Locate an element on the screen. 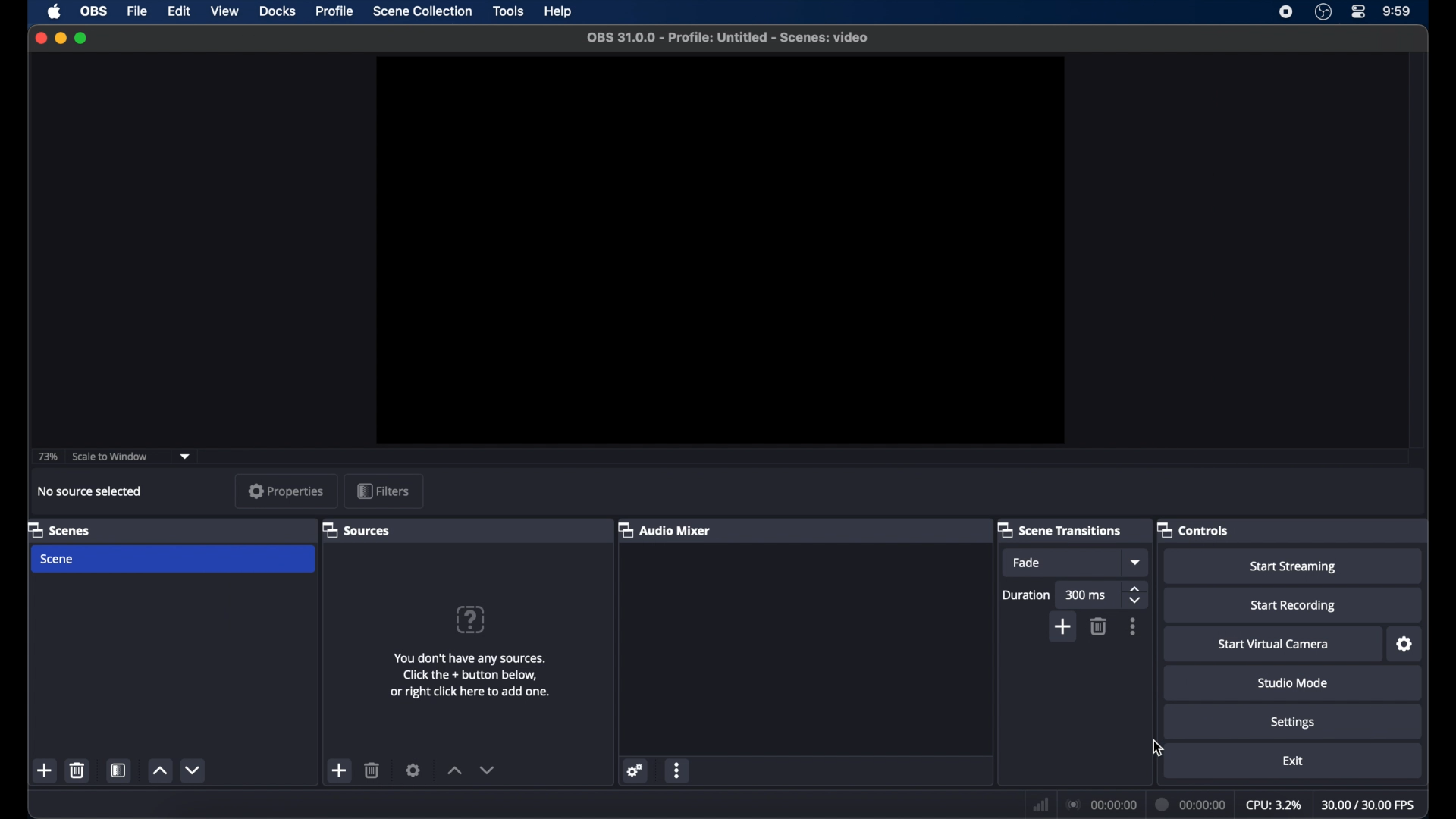  more options is located at coordinates (678, 770).